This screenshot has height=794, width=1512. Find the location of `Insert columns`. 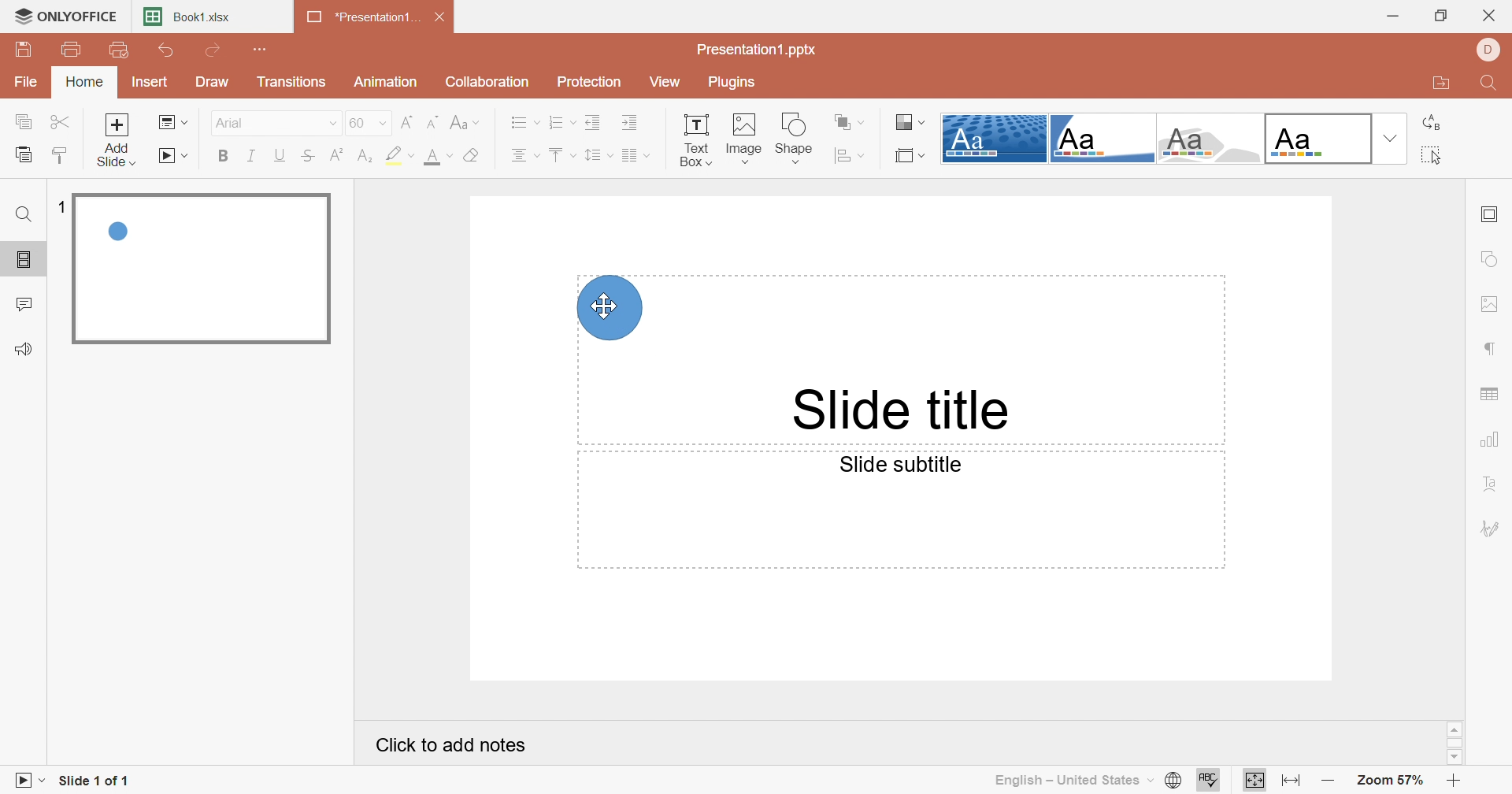

Insert columns is located at coordinates (636, 157).